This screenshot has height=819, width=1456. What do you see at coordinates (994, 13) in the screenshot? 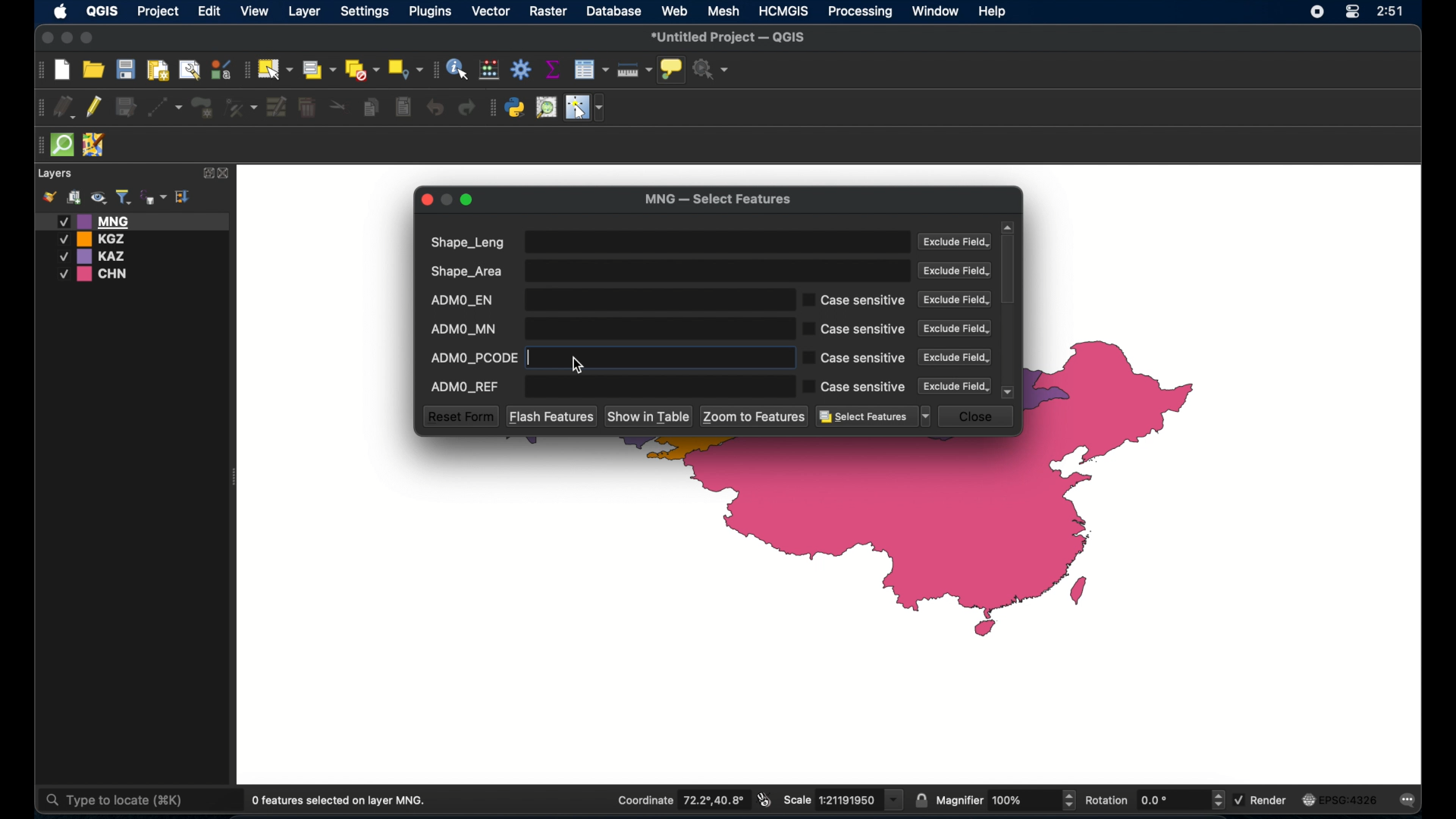
I see `help` at bounding box center [994, 13].